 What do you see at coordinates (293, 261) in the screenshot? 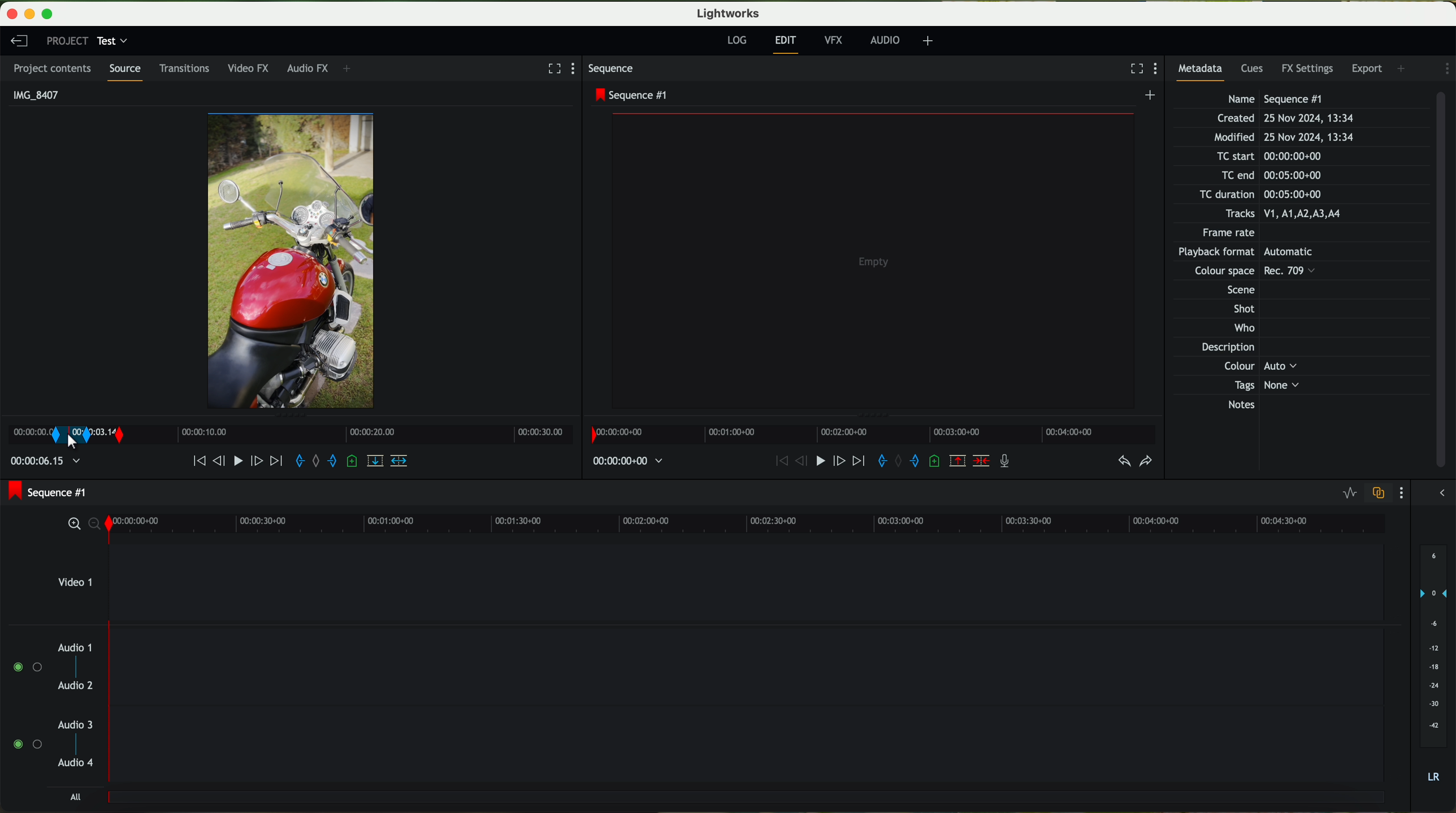
I see `video` at bounding box center [293, 261].